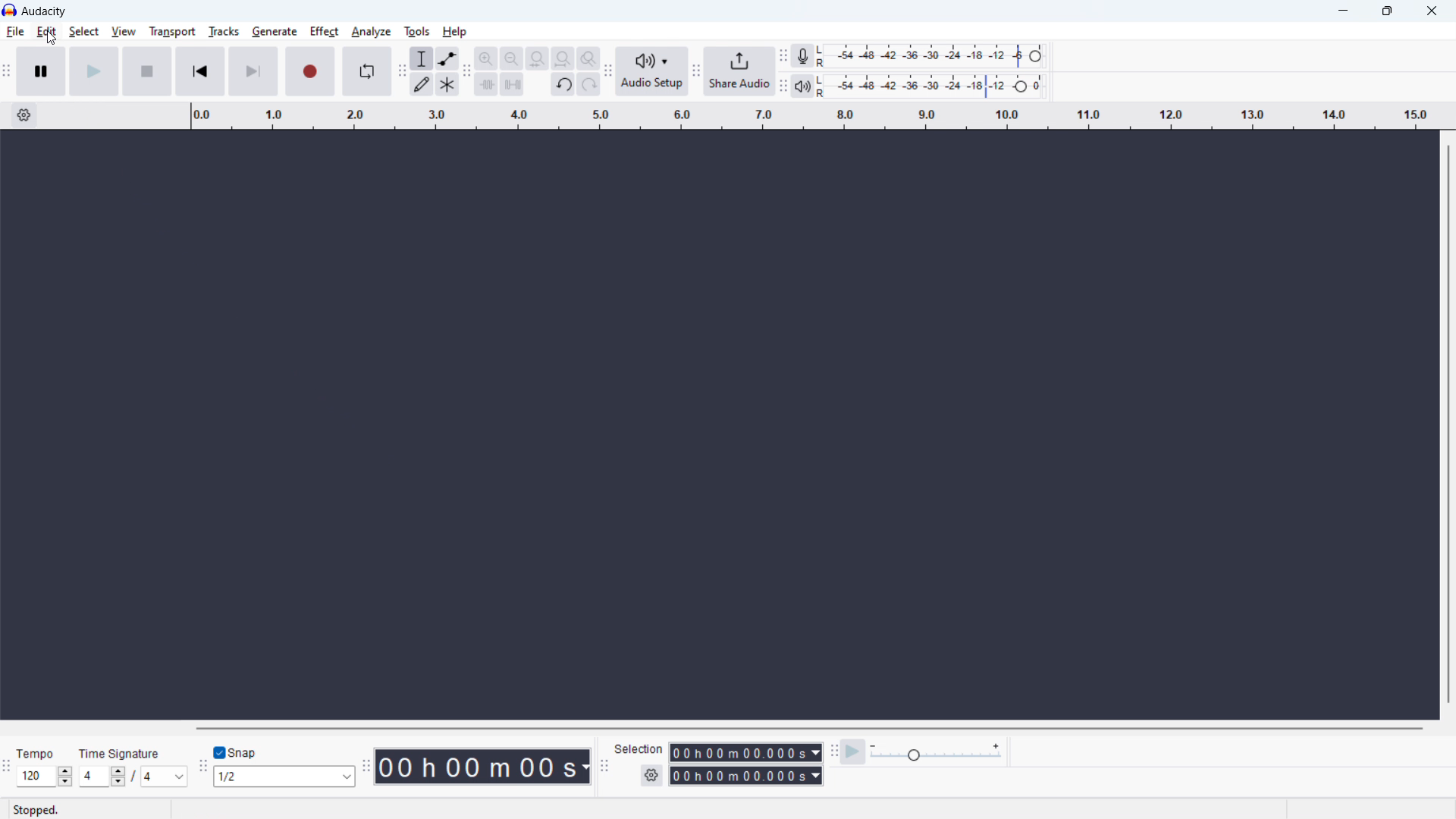  Describe the element at coordinates (447, 58) in the screenshot. I see `envelop tool` at that location.